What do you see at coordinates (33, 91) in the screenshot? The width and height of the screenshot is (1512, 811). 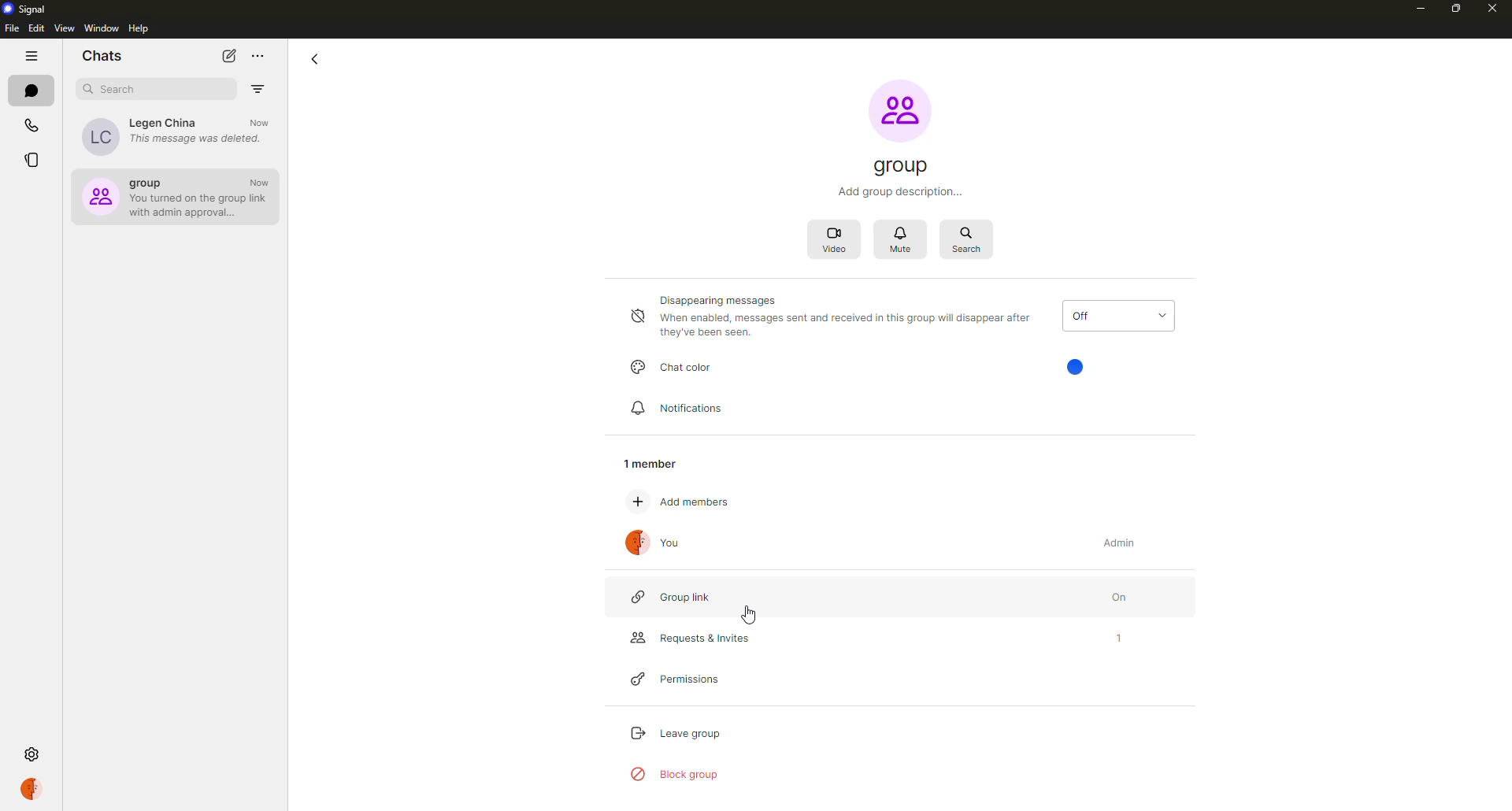 I see `chats` at bounding box center [33, 91].